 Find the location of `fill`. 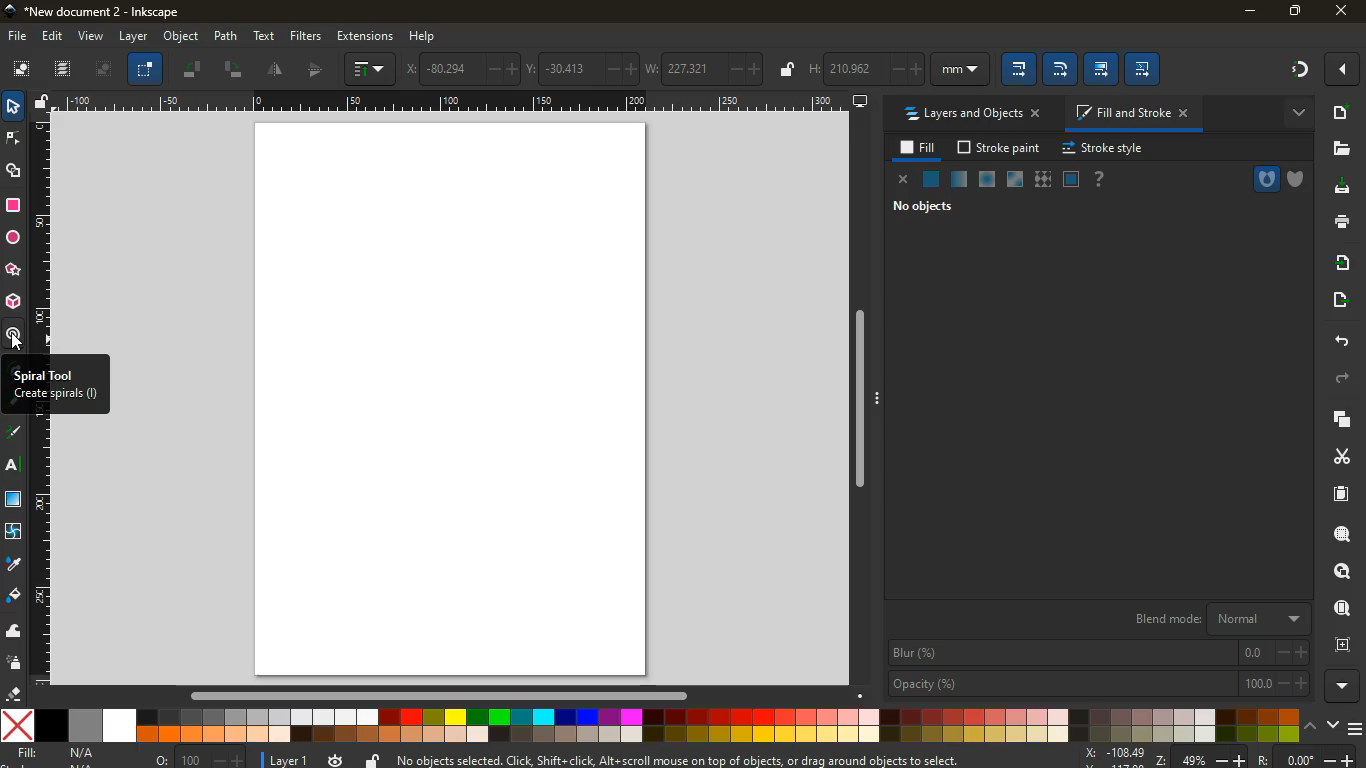

fill is located at coordinates (12, 596).